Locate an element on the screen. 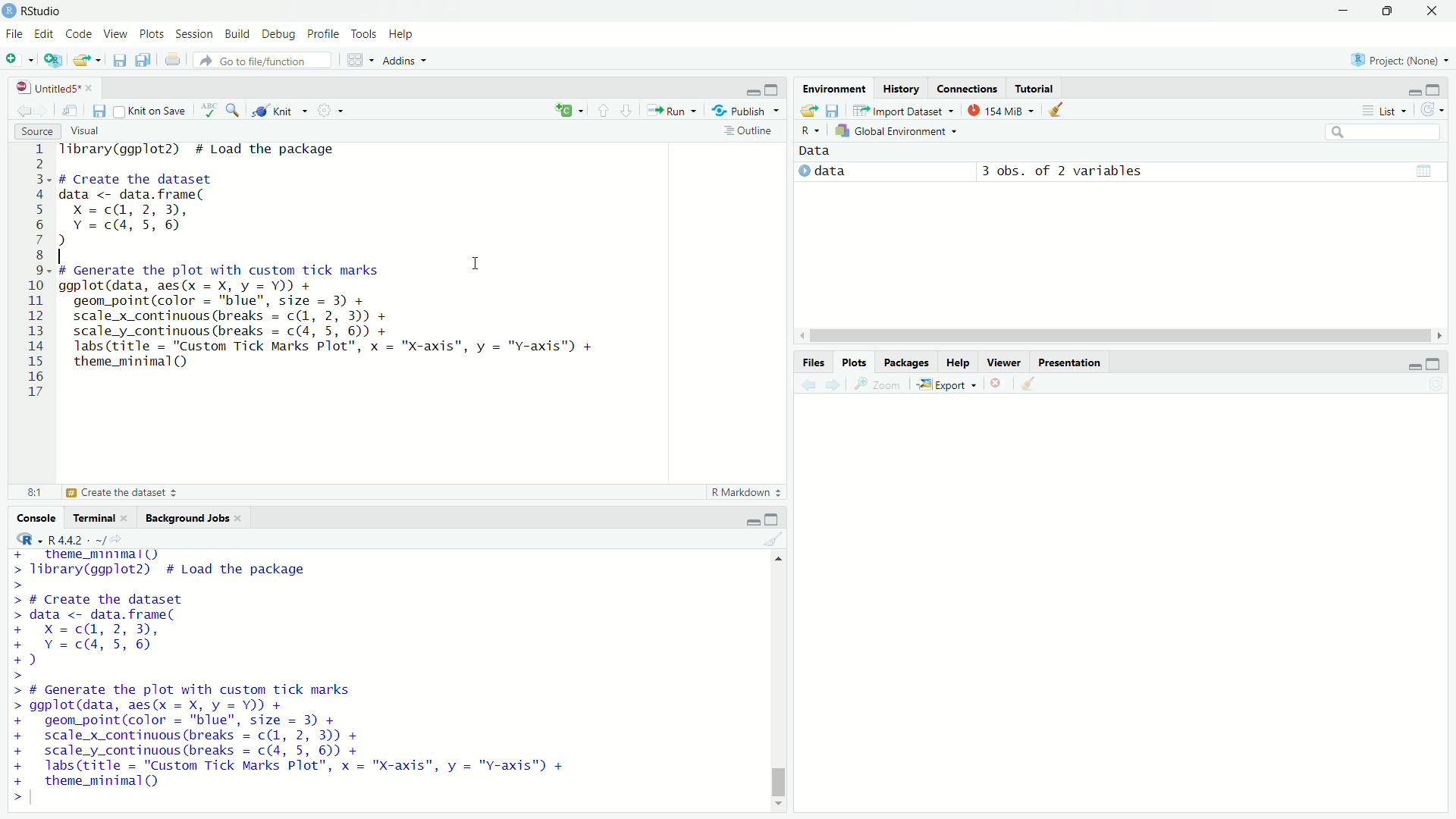 The image size is (1456, 819). connections is located at coordinates (966, 88).